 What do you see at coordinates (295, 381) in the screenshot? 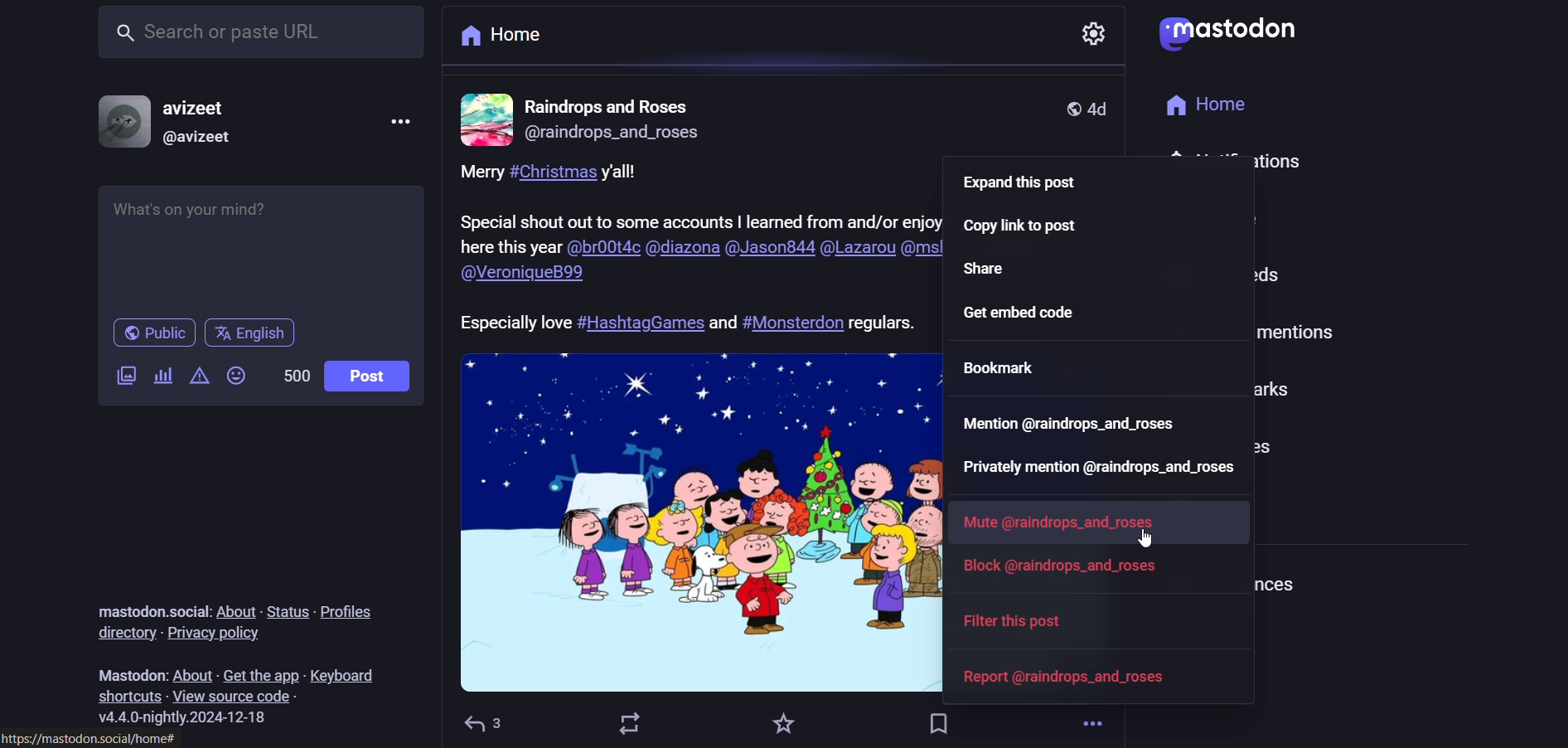
I see `word limit ` at bounding box center [295, 381].